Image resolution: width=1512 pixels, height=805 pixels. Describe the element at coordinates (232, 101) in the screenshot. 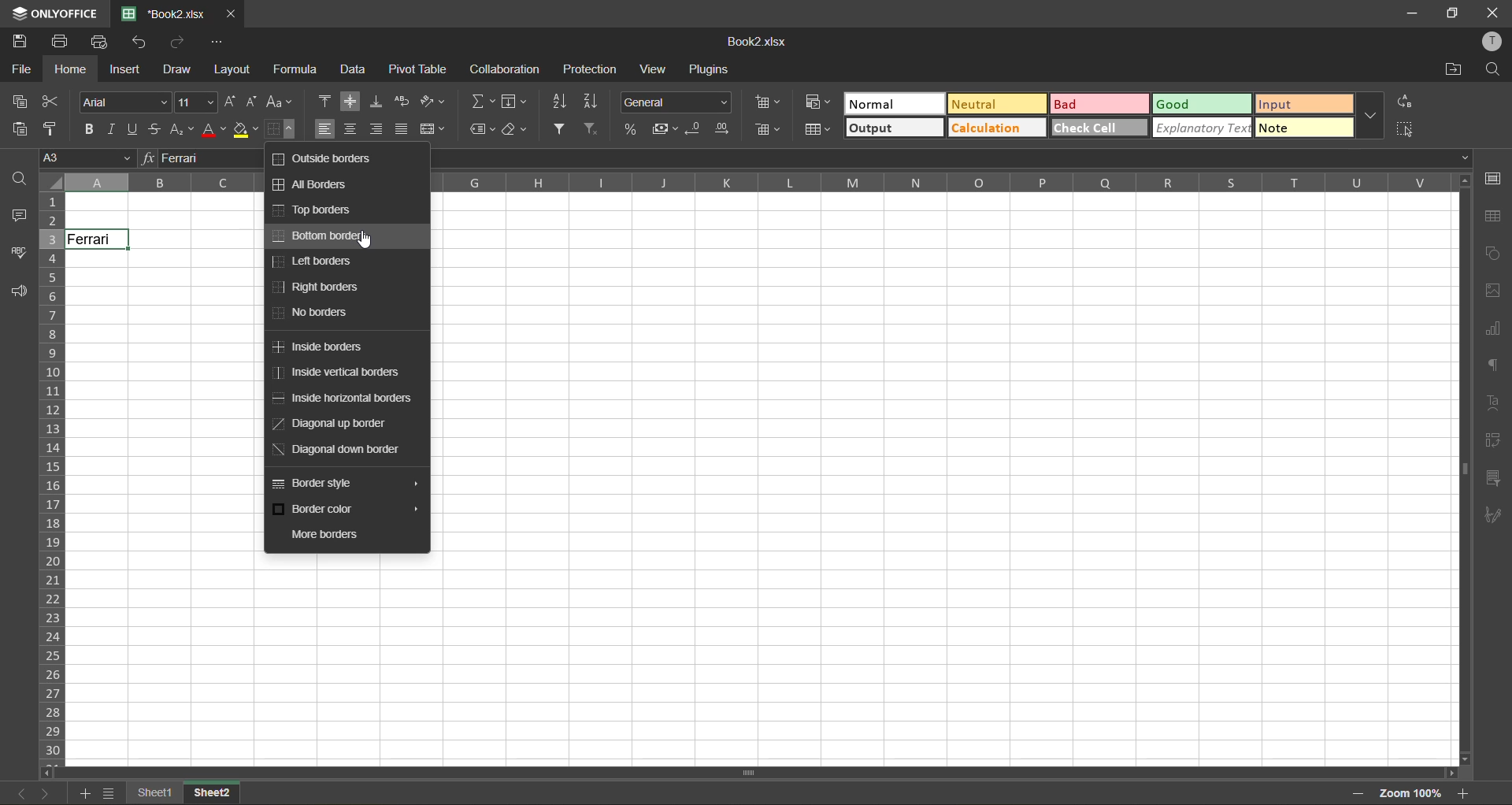

I see `increment size` at that location.